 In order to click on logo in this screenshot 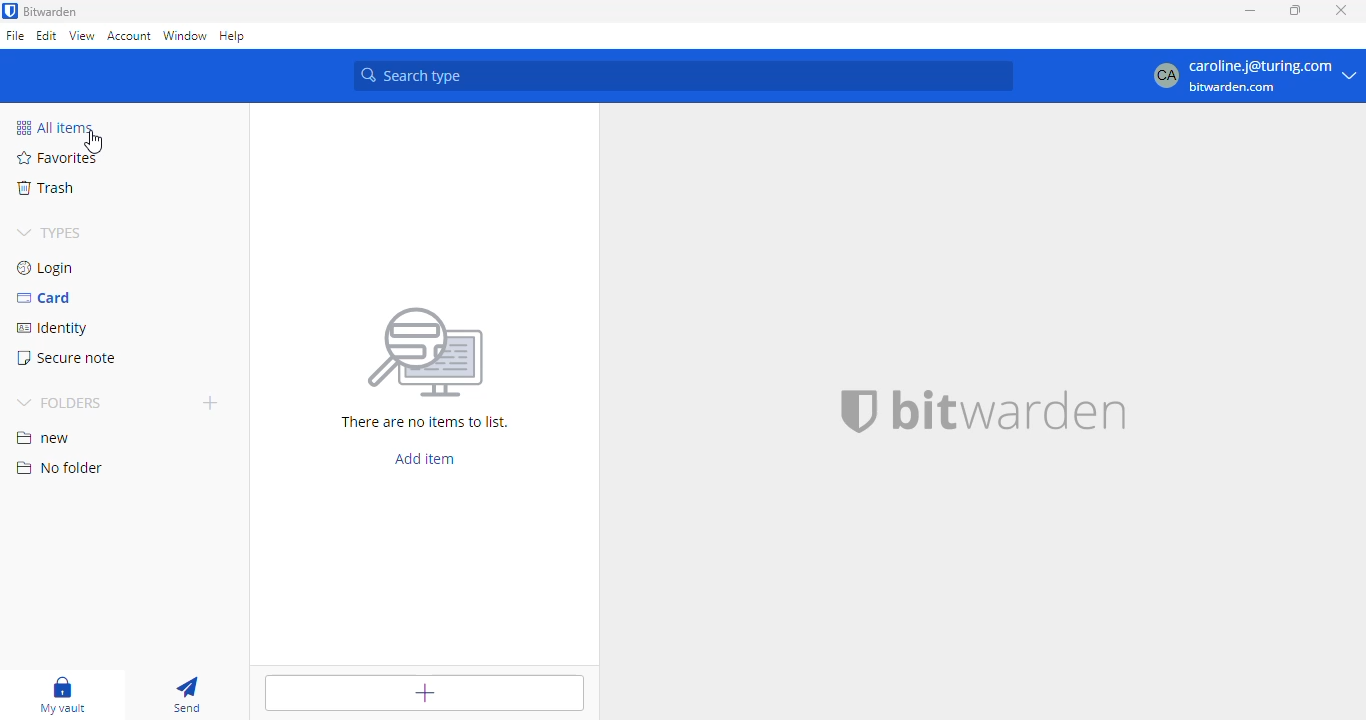, I will do `click(860, 411)`.